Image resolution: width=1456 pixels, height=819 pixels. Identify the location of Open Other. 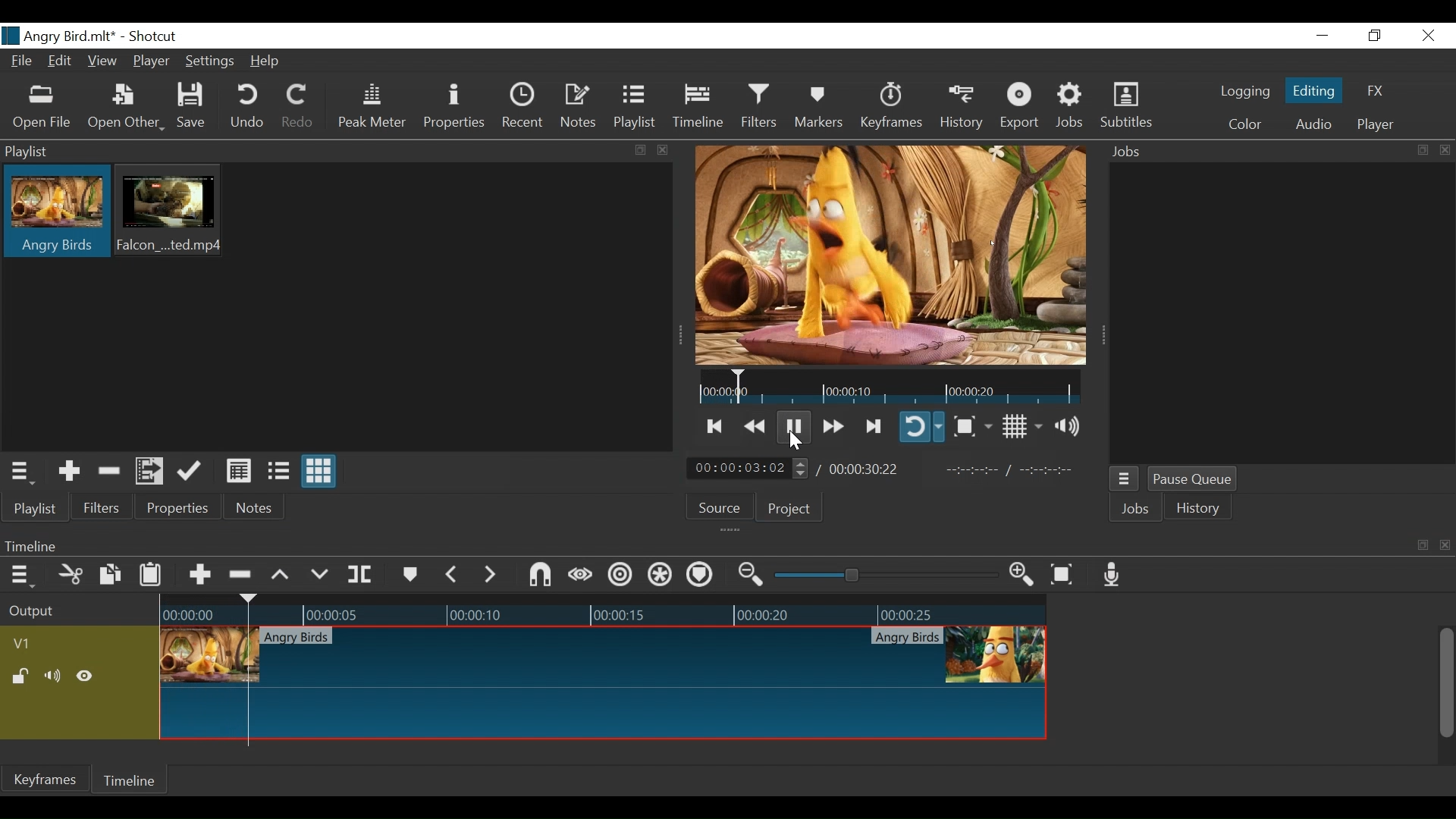
(127, 106).